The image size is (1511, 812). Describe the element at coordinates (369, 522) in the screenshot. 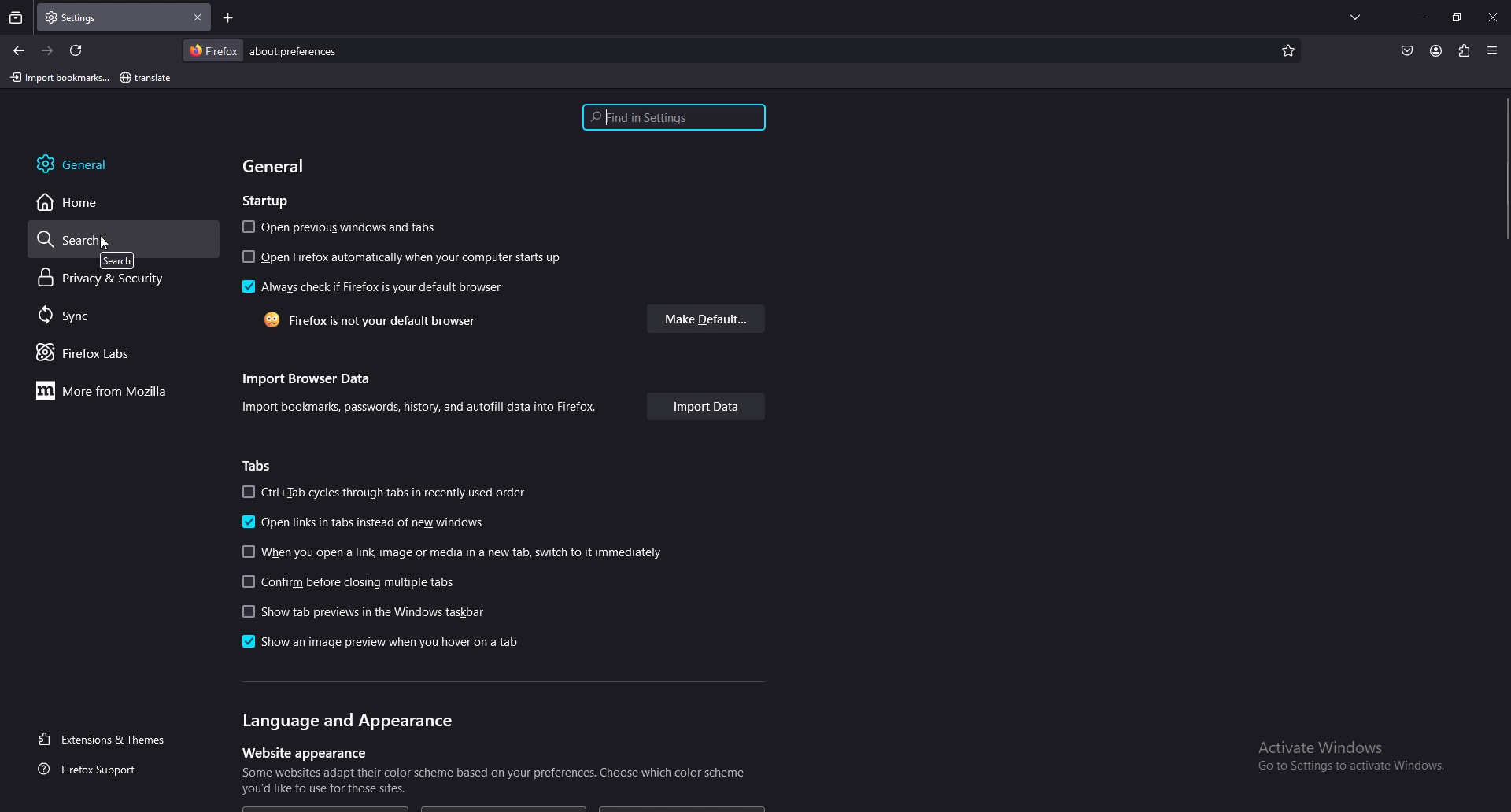

I see `open links in tabs` at that location.